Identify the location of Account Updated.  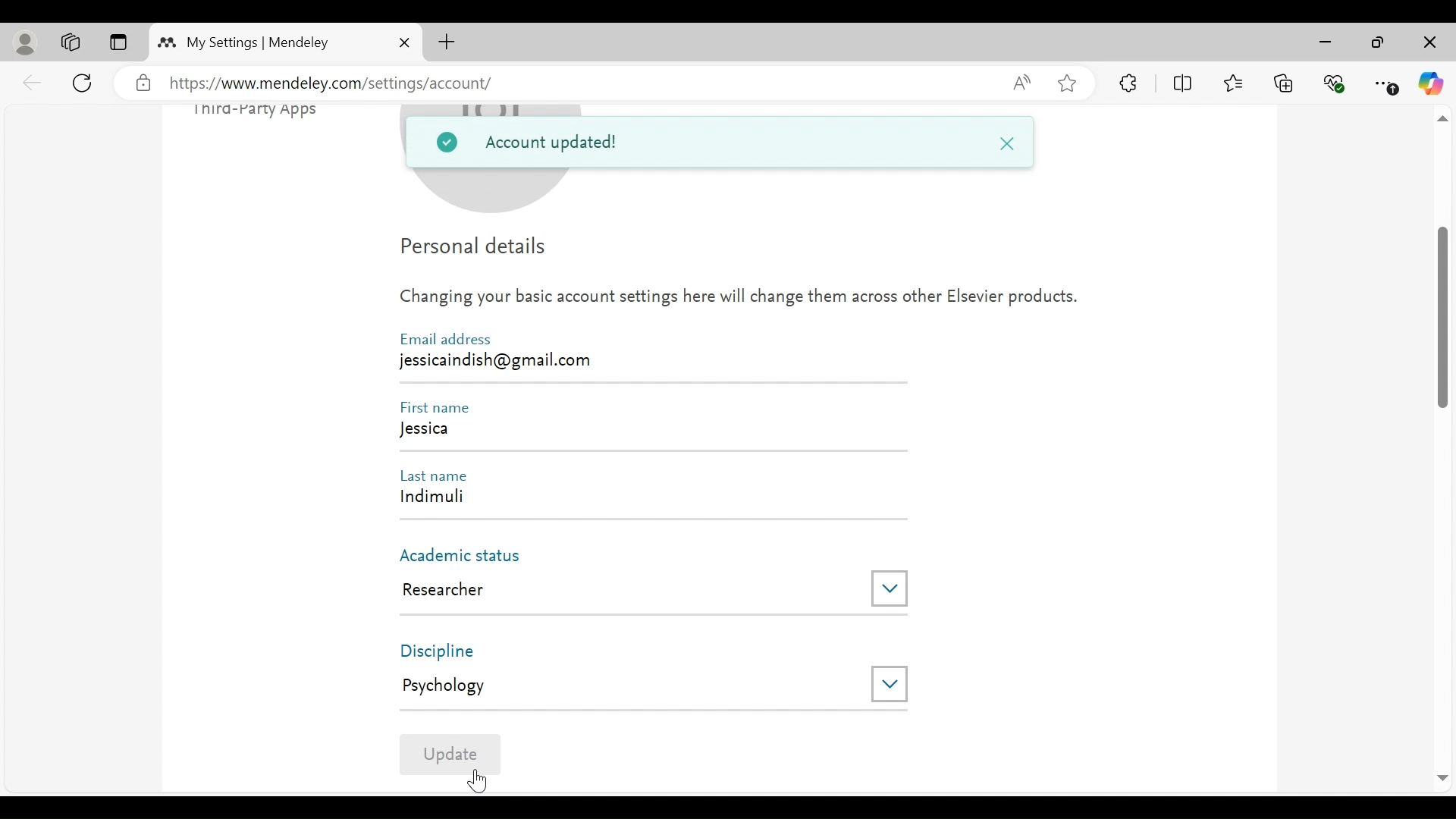
(678, 142).